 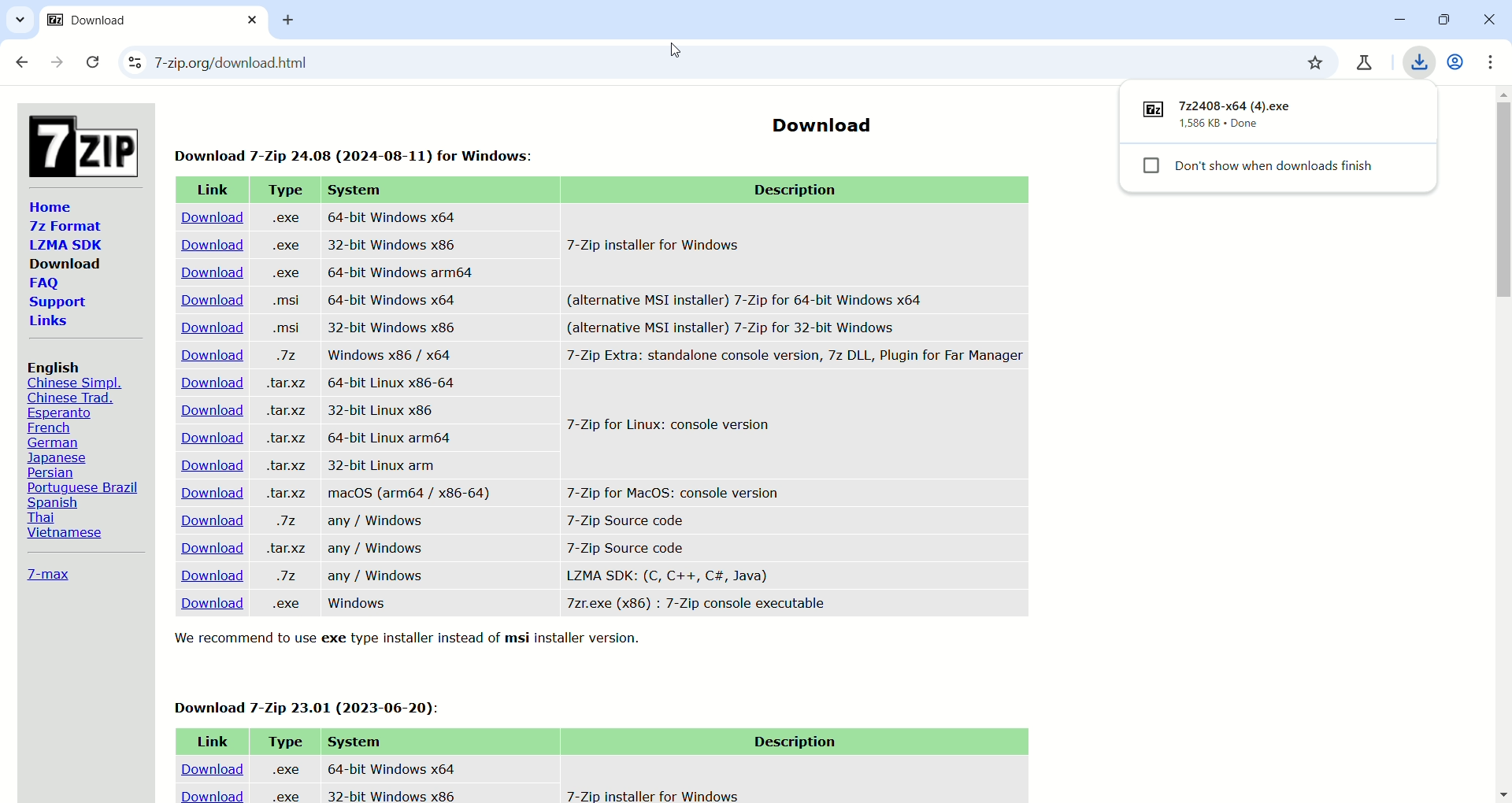 What do you see at coordinates (60, 457) in the screenshot?
I see `Japanese` at bounding box center [60, 457].